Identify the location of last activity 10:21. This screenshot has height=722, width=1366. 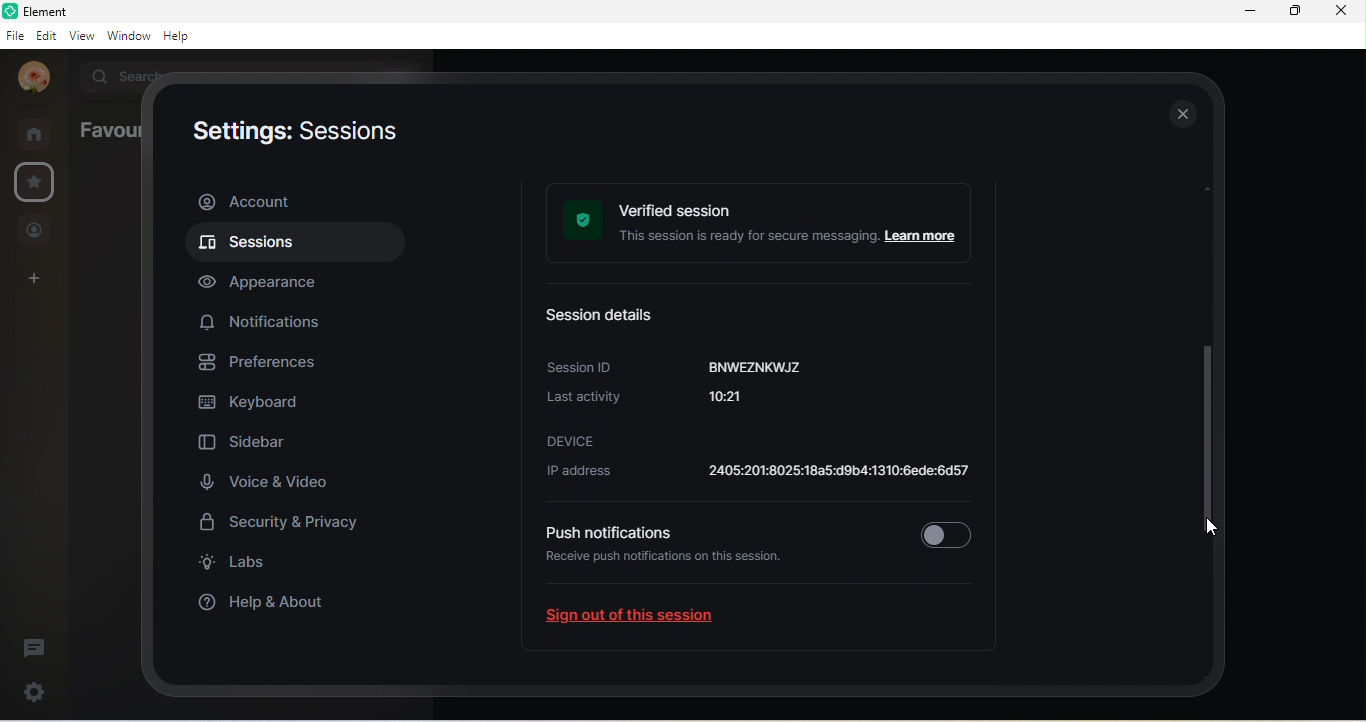
(666, 403).